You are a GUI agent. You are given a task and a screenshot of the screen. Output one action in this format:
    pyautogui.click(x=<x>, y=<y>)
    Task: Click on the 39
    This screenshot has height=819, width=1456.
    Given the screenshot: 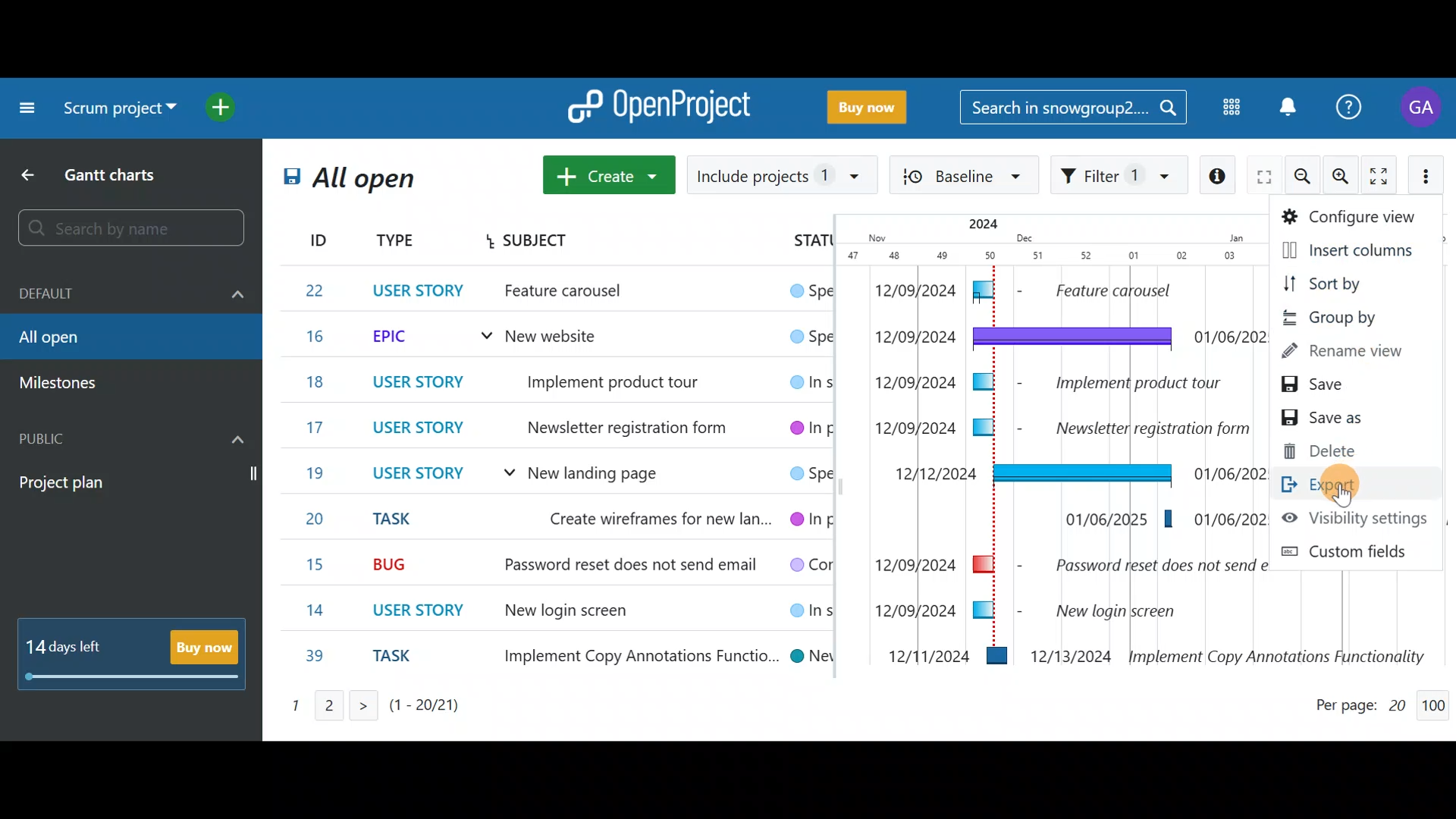 What is the action you would take?
    pyautogui.click(x=315, y=657)
    